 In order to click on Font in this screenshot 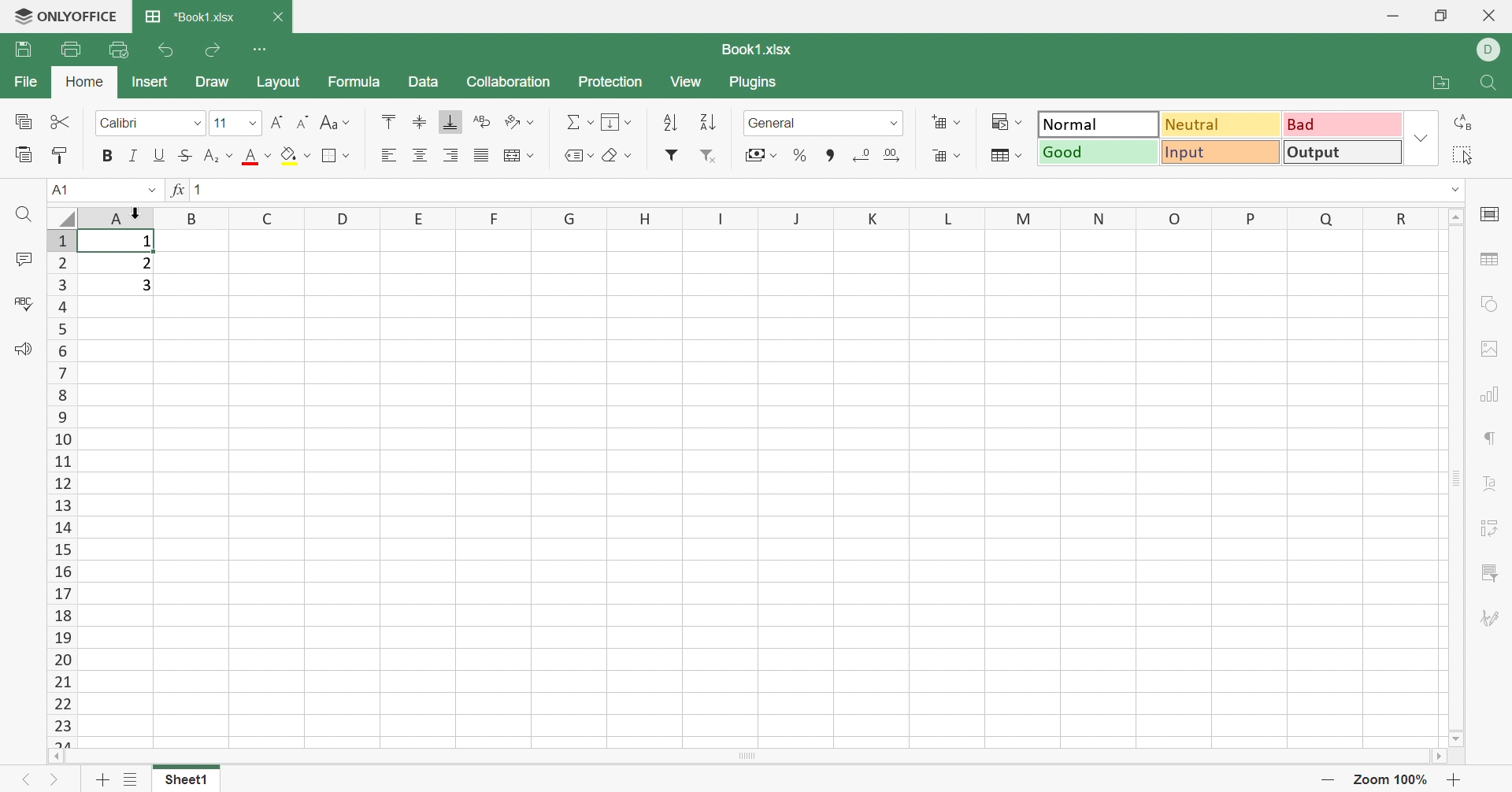, I will do `click(239, 122)`.